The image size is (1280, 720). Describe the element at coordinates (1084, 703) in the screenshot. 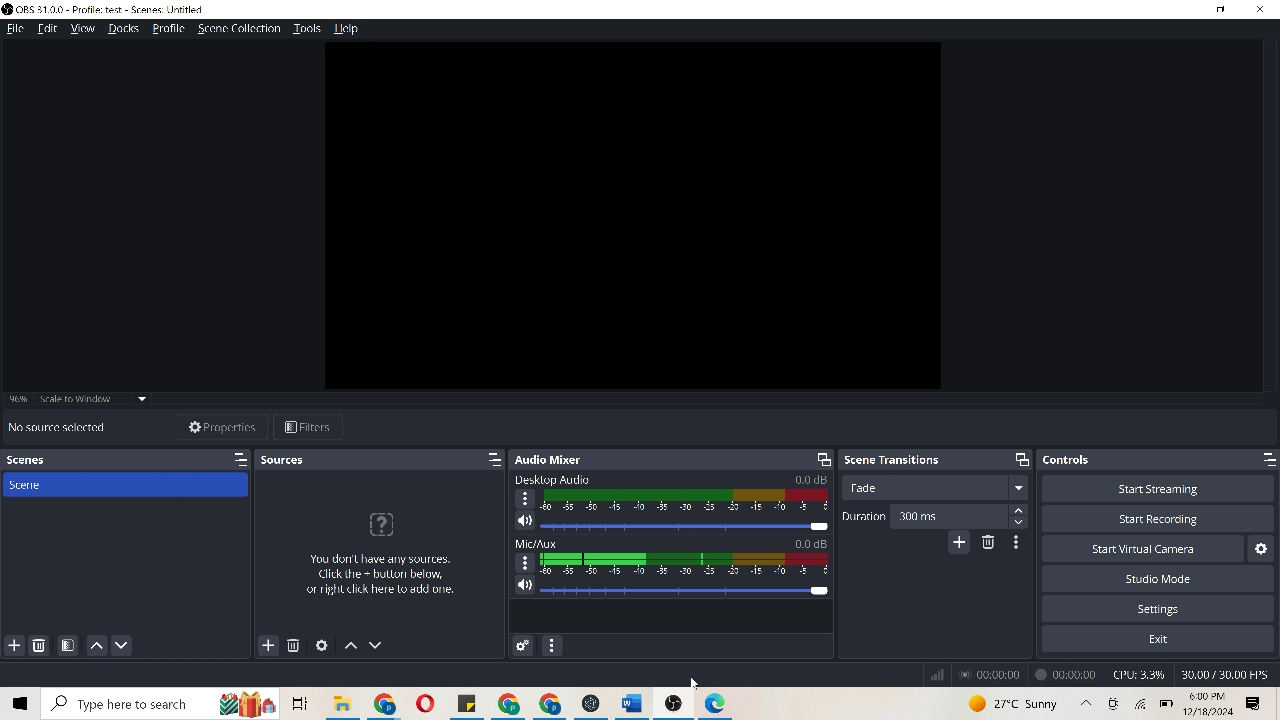

I see `up` at that location.